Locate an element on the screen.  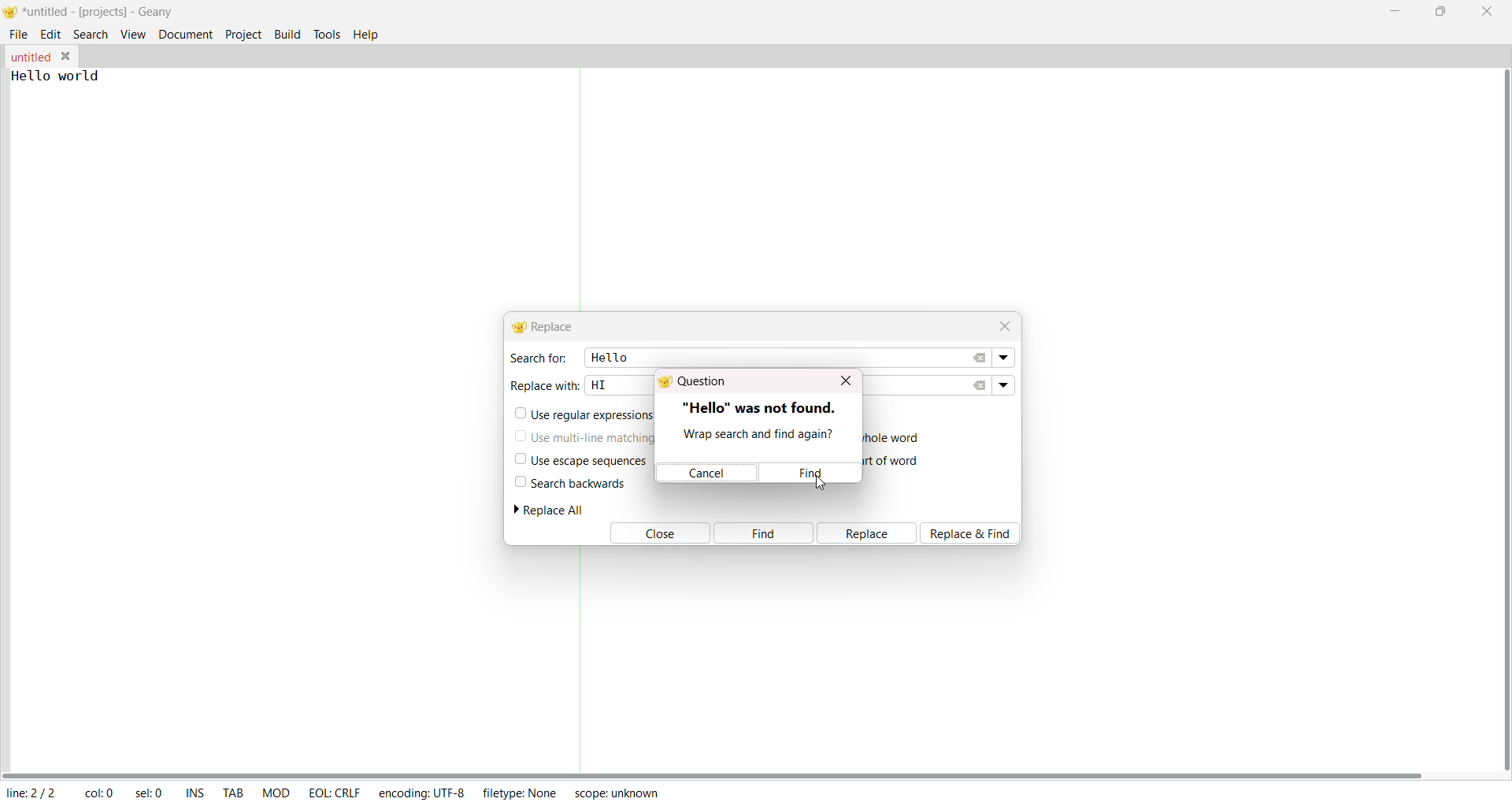
Separator is located at coordinates (580, 659).